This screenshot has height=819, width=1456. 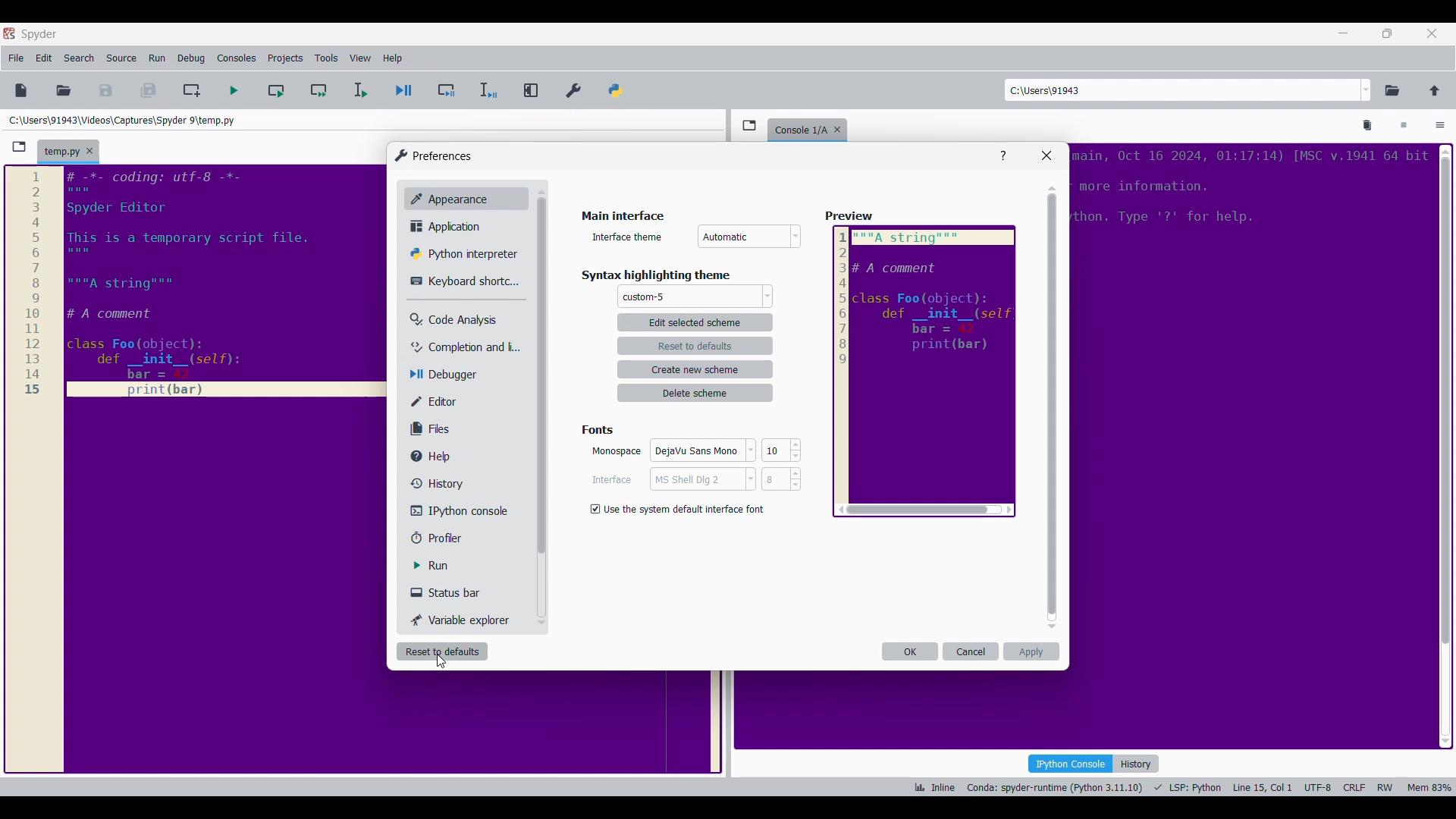 I want to click on Conda: spyder-runtime (Python 3.11.10), so click(x=1058, y=786).